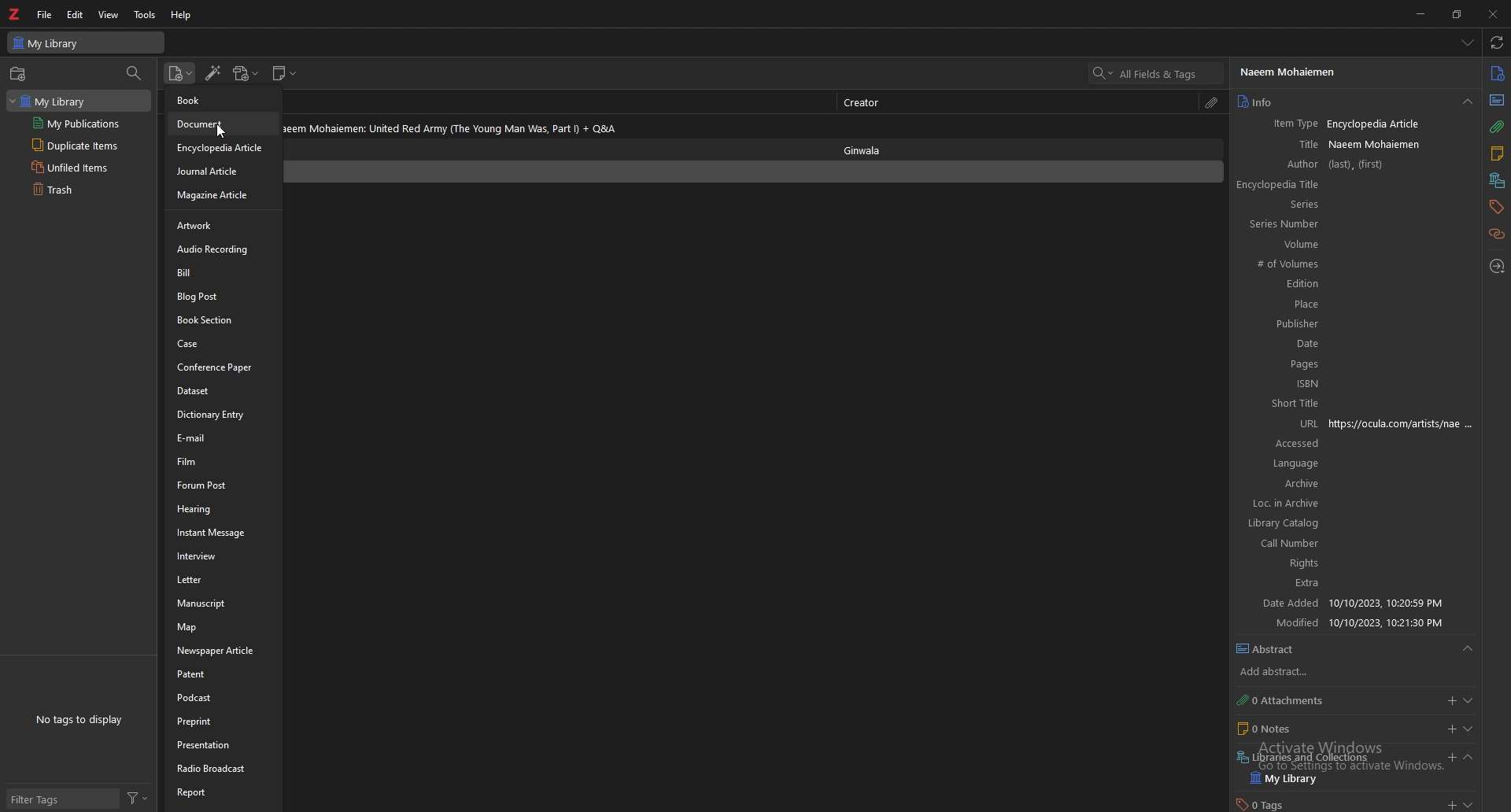  I want to click on my publications, so click(77, 124).